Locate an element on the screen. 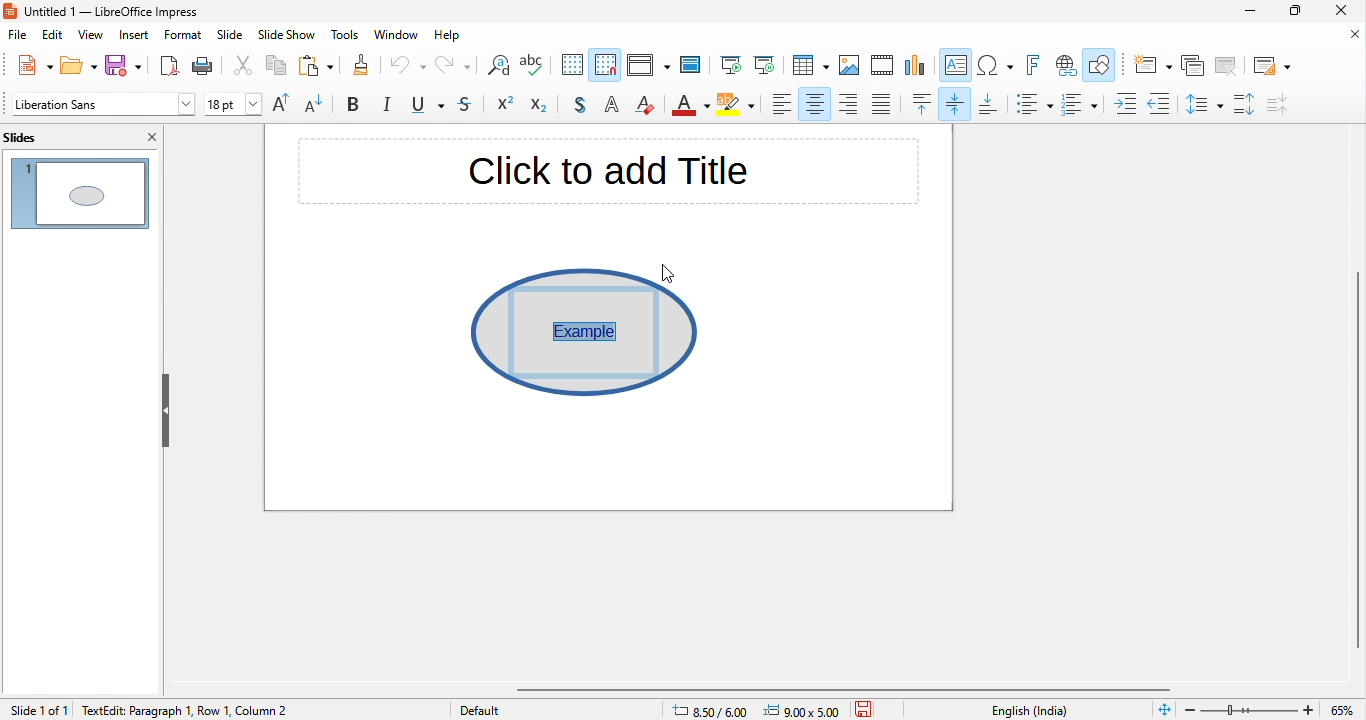 The image size is (1366, 720). superscript is located at coordinates (506, 106).